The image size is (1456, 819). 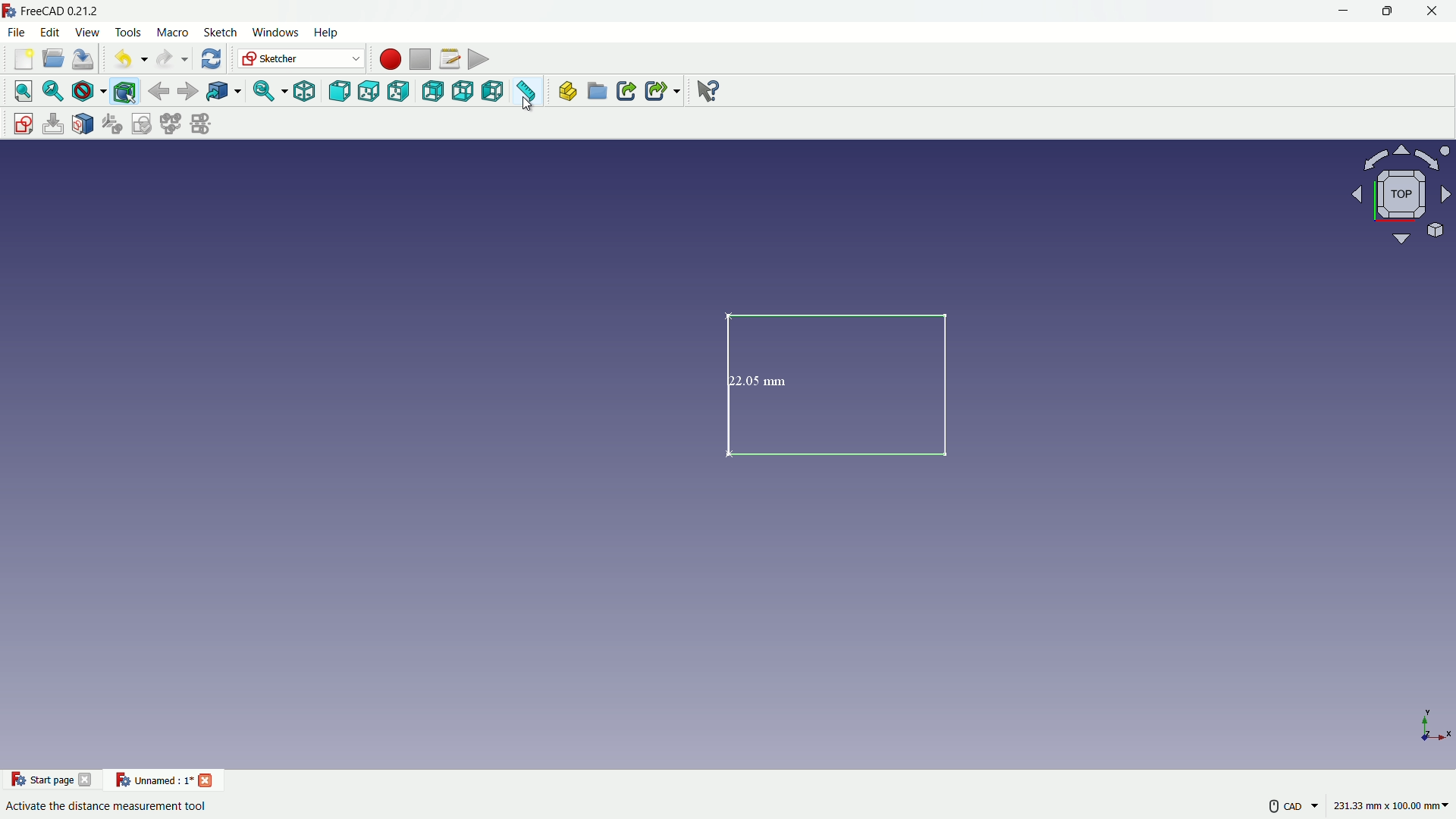 I want to click on merge sketches, so click(x=172, y=124).